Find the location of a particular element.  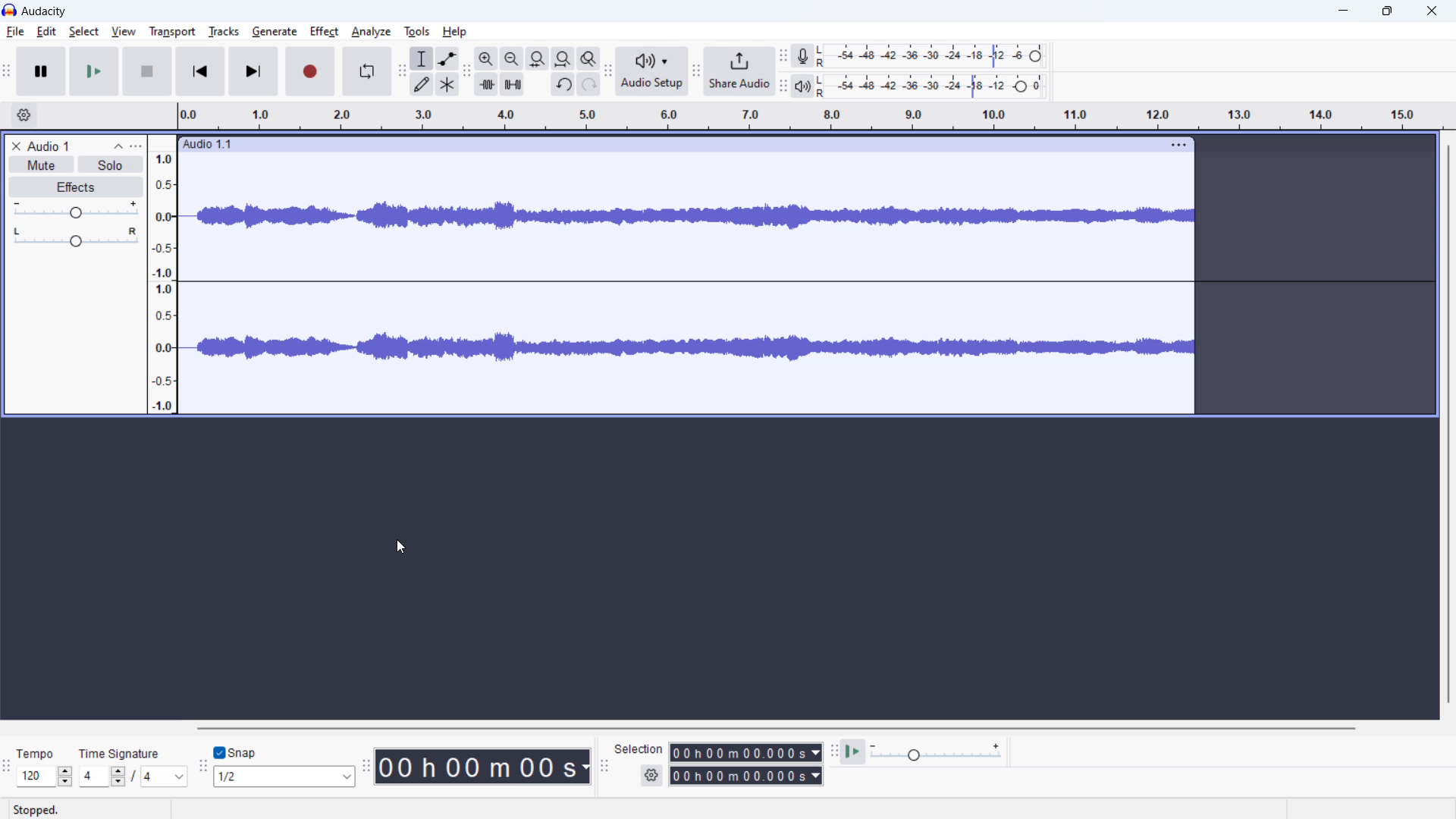

zoom in is located at coordinates (486, 58).